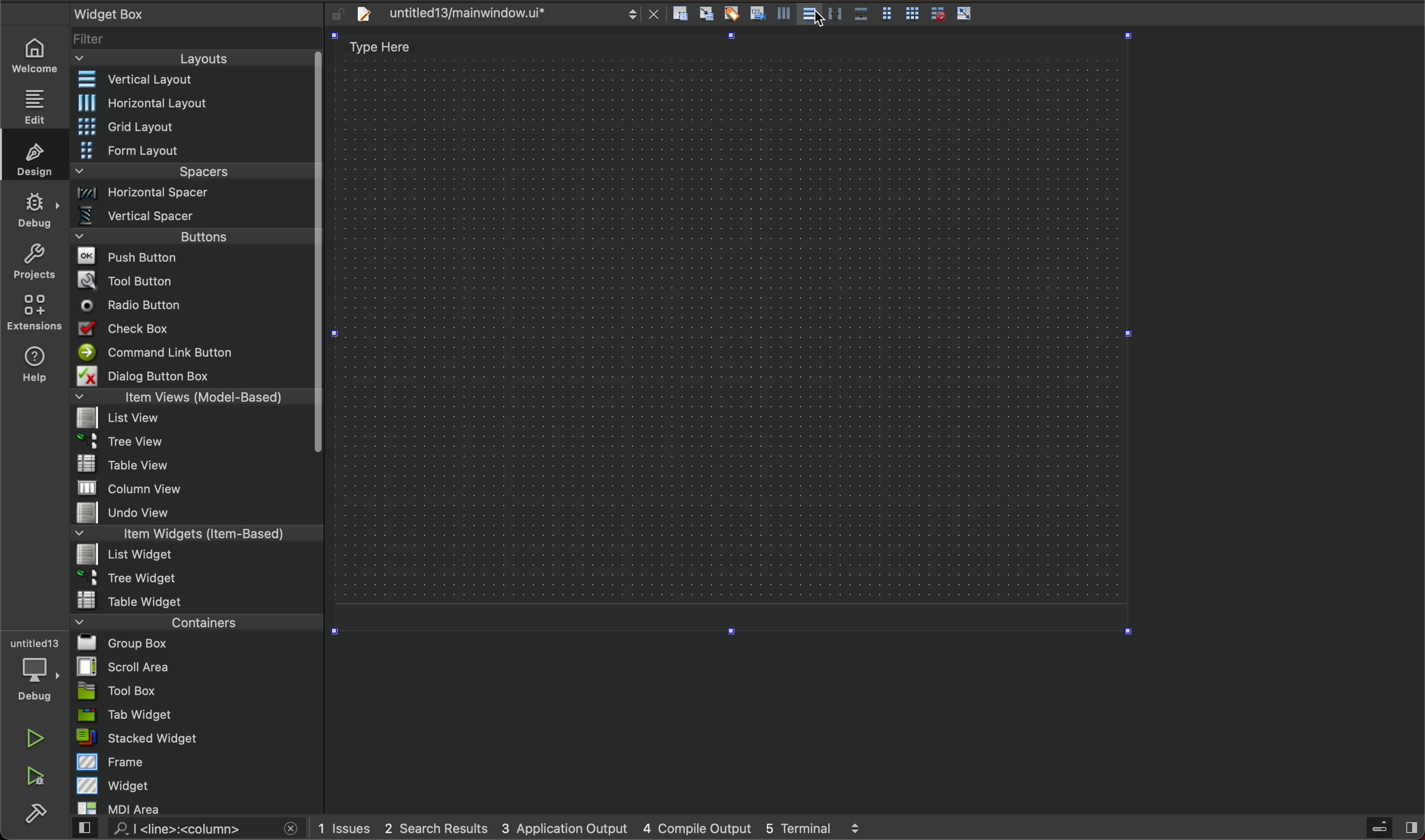 The width and height of the screenshot is (1425, 840). What do you see at coordinates (37, 102) in the screenshot?
I see `edit` at bounding box center [37, 102].